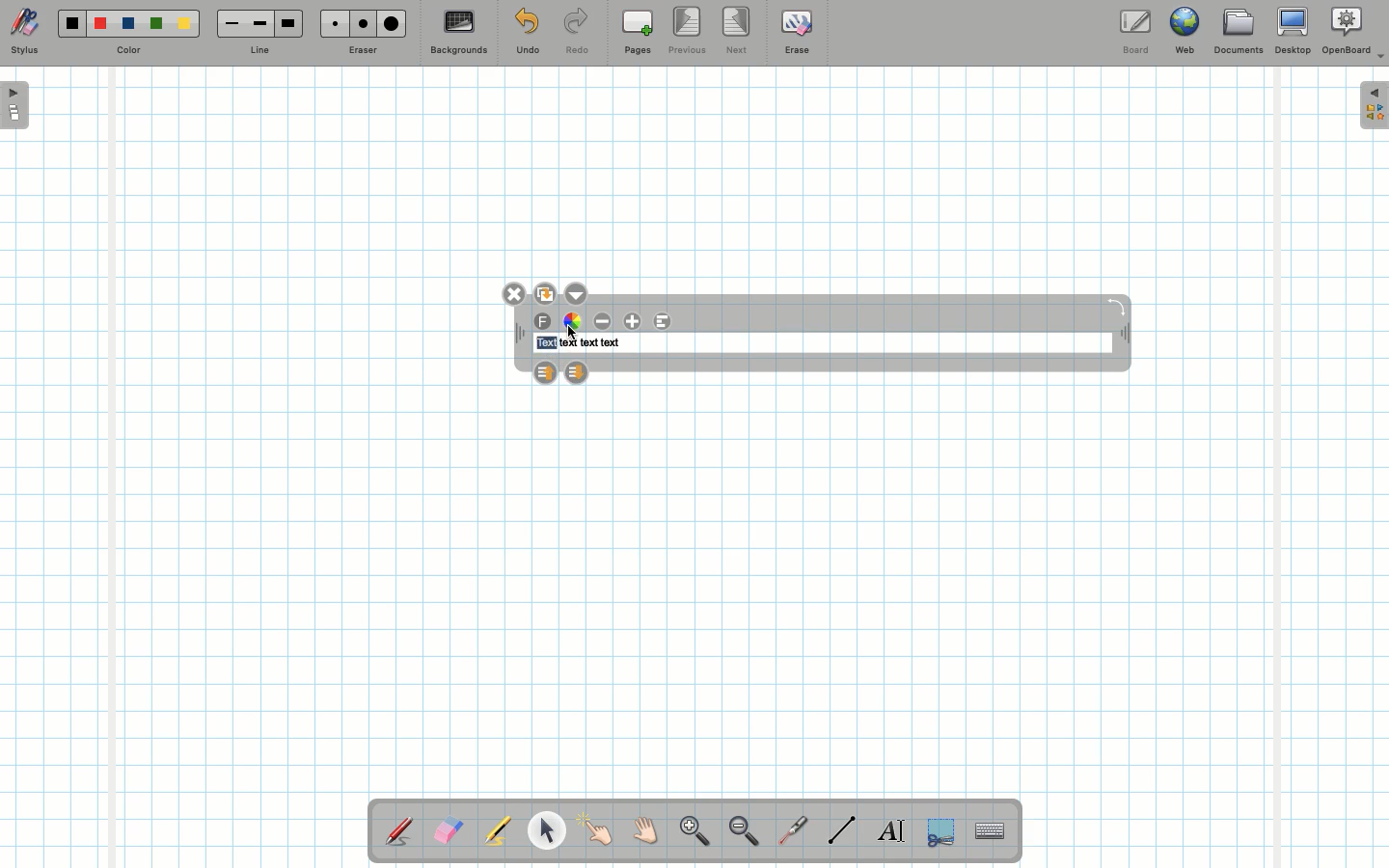  I want to click on Color wheel, so click(572, 320).